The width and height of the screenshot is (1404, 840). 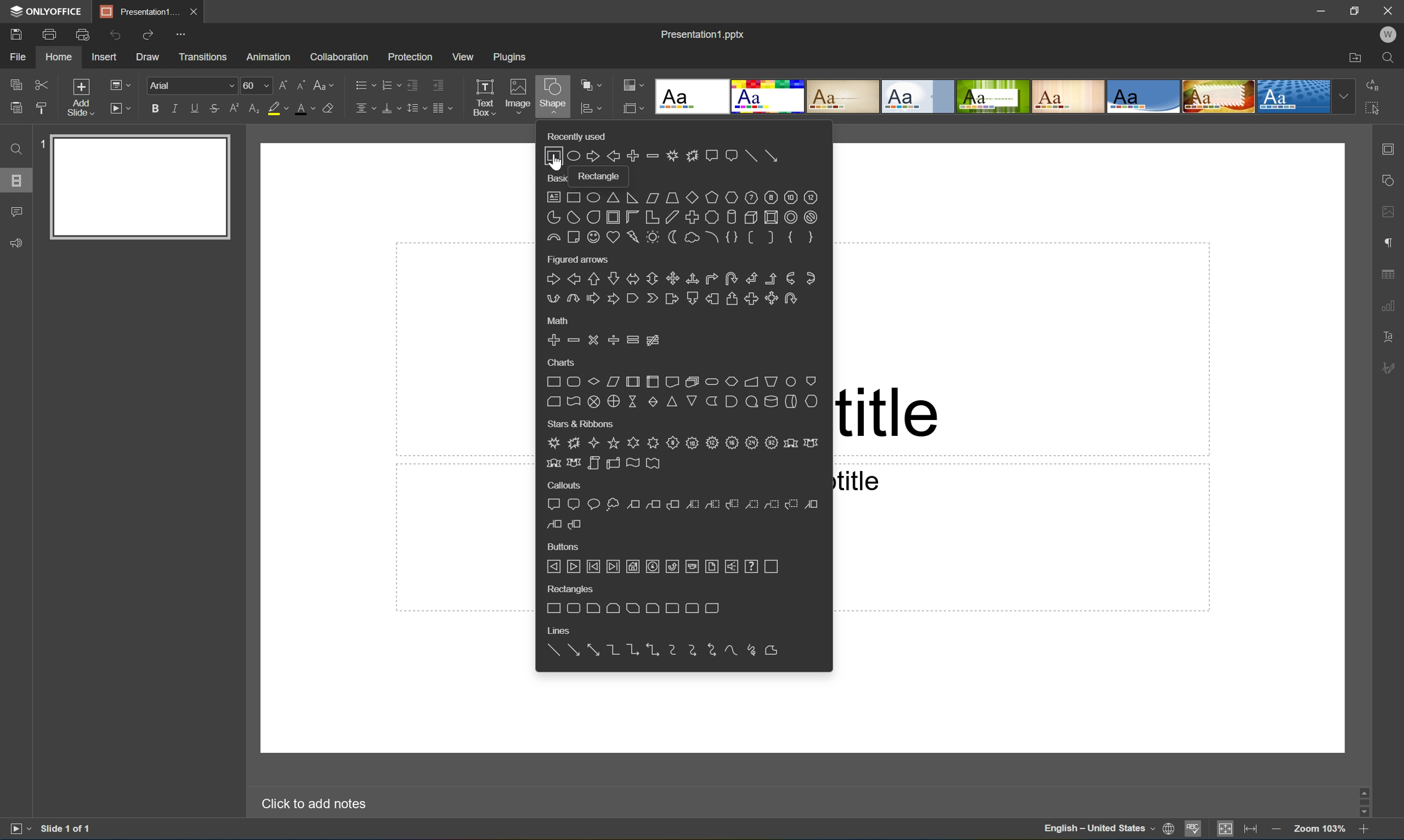 I want to click on Shapes, so click(x=684, y=395).